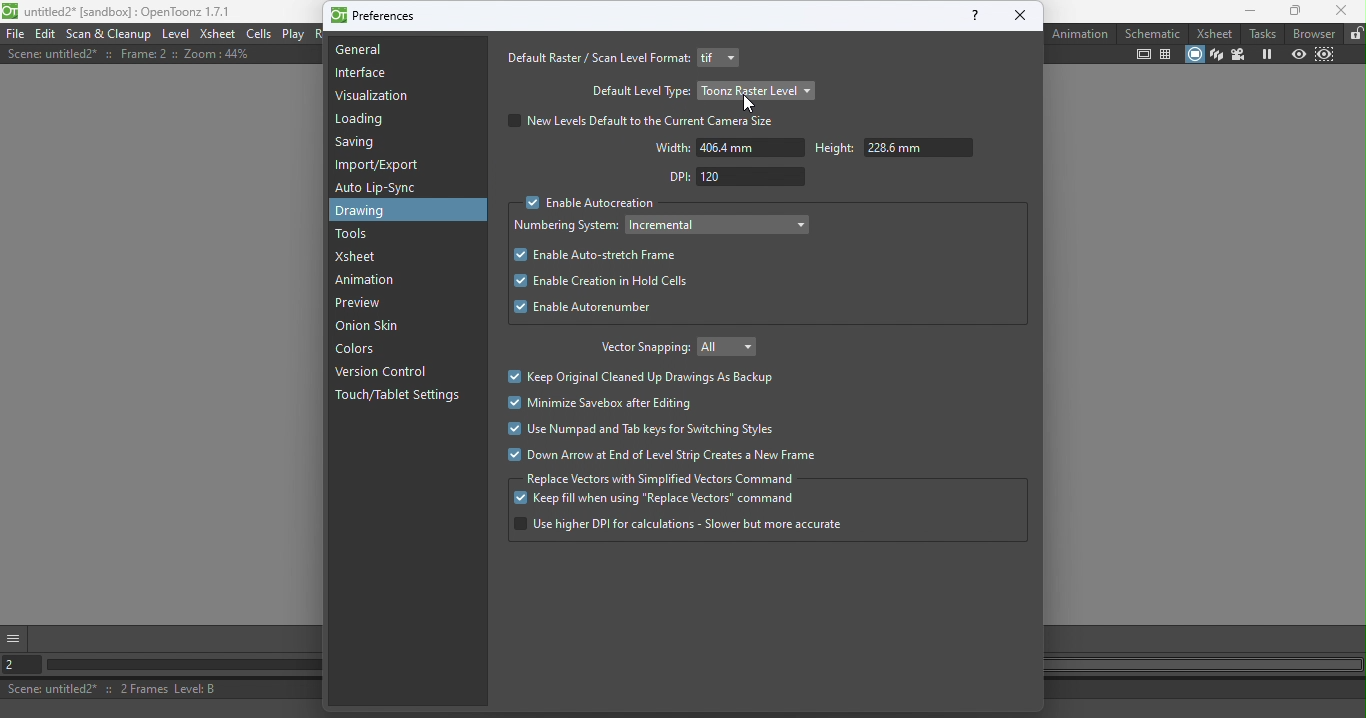  Describe the element at coordinates (656, 501) in the screenshot. I see `Keep fill when using "replace vectors" command` at that location.